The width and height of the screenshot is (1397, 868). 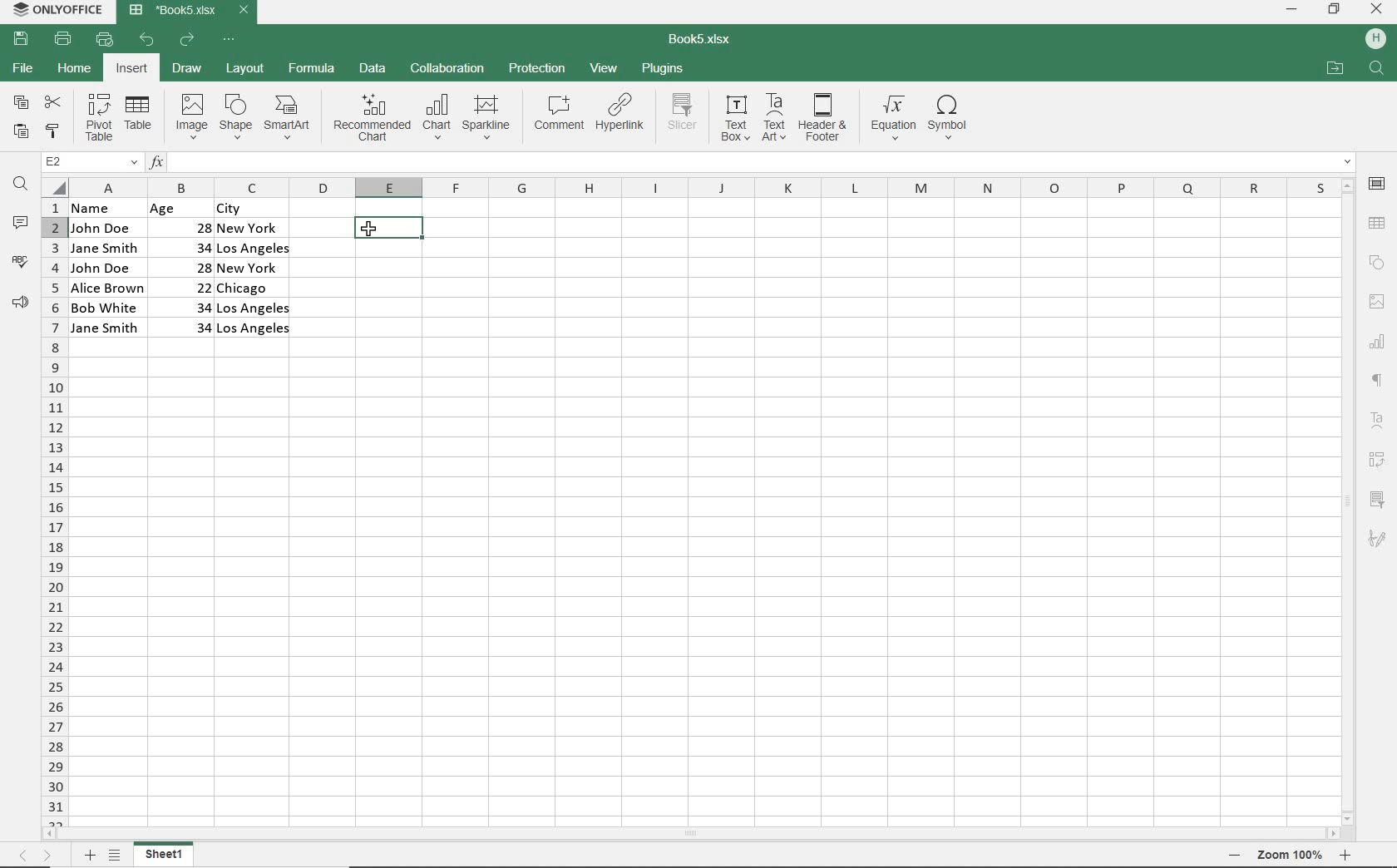 I want to click on PIVOT TABLE, so click(x=99, y=118).